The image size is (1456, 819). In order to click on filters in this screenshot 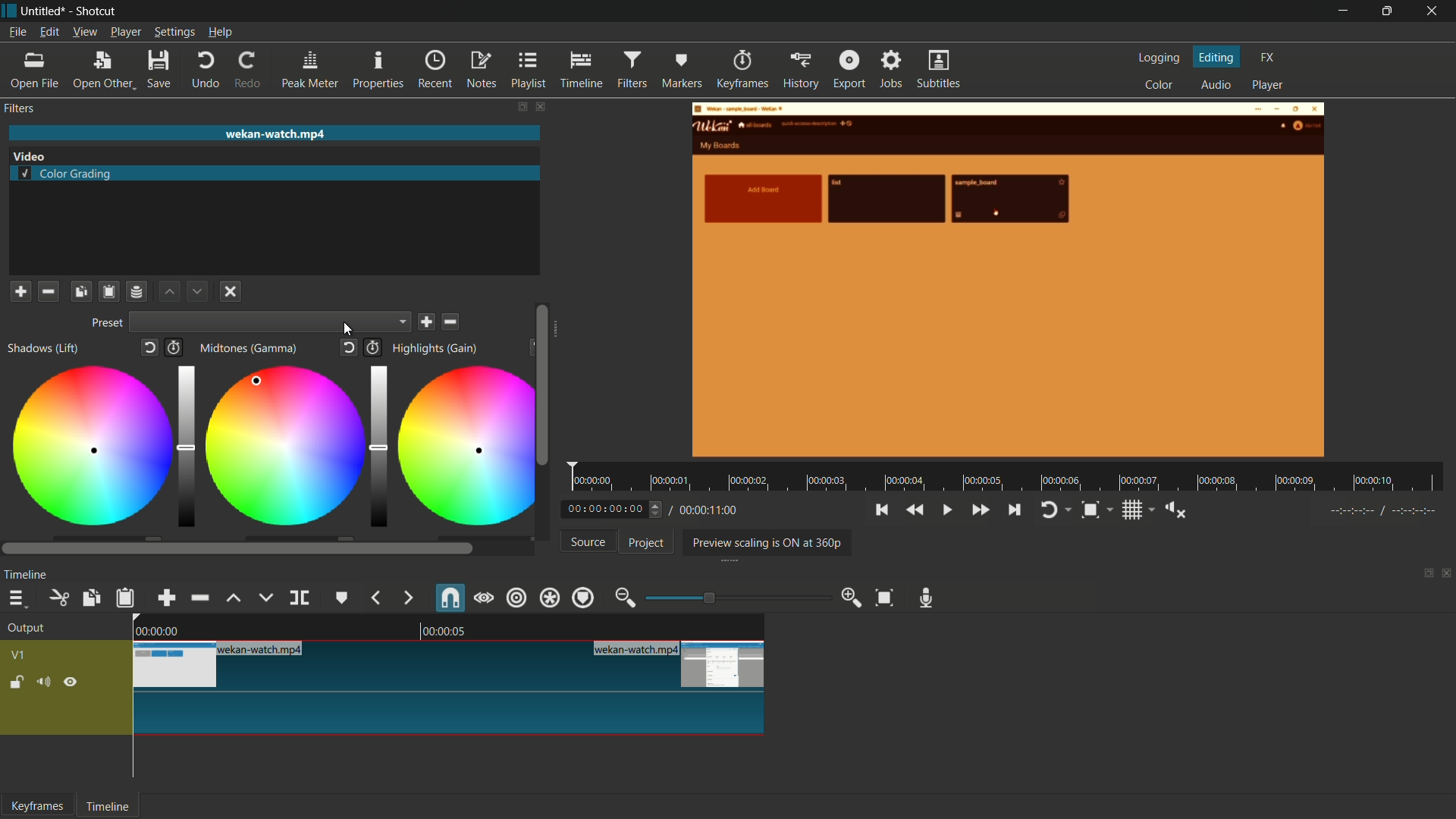, I will do `click(19, 108)`.